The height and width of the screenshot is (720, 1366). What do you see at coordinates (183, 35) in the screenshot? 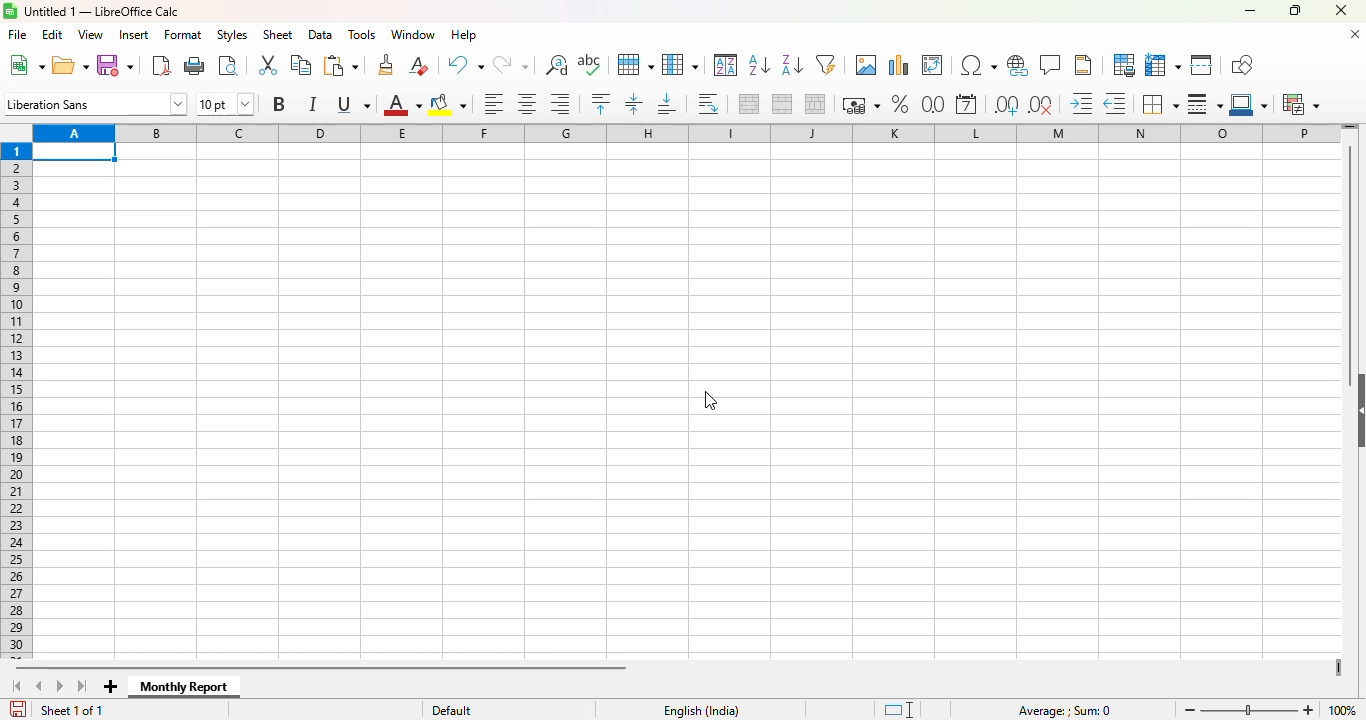
I see `format` at bounding box center [183, 35].